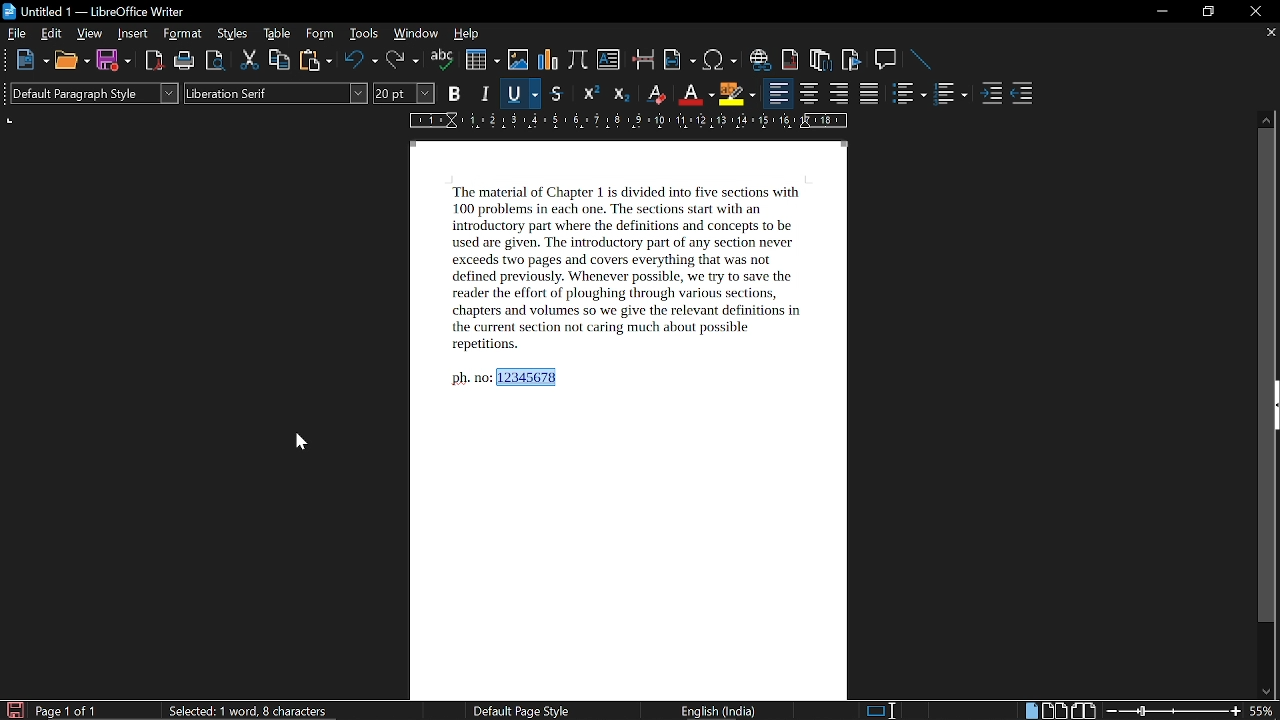 The image size is (1280, 720). What do you see at coordinates (992, 94) in the screenshot?
I see `increase indent` at bounding box center [992, 94].